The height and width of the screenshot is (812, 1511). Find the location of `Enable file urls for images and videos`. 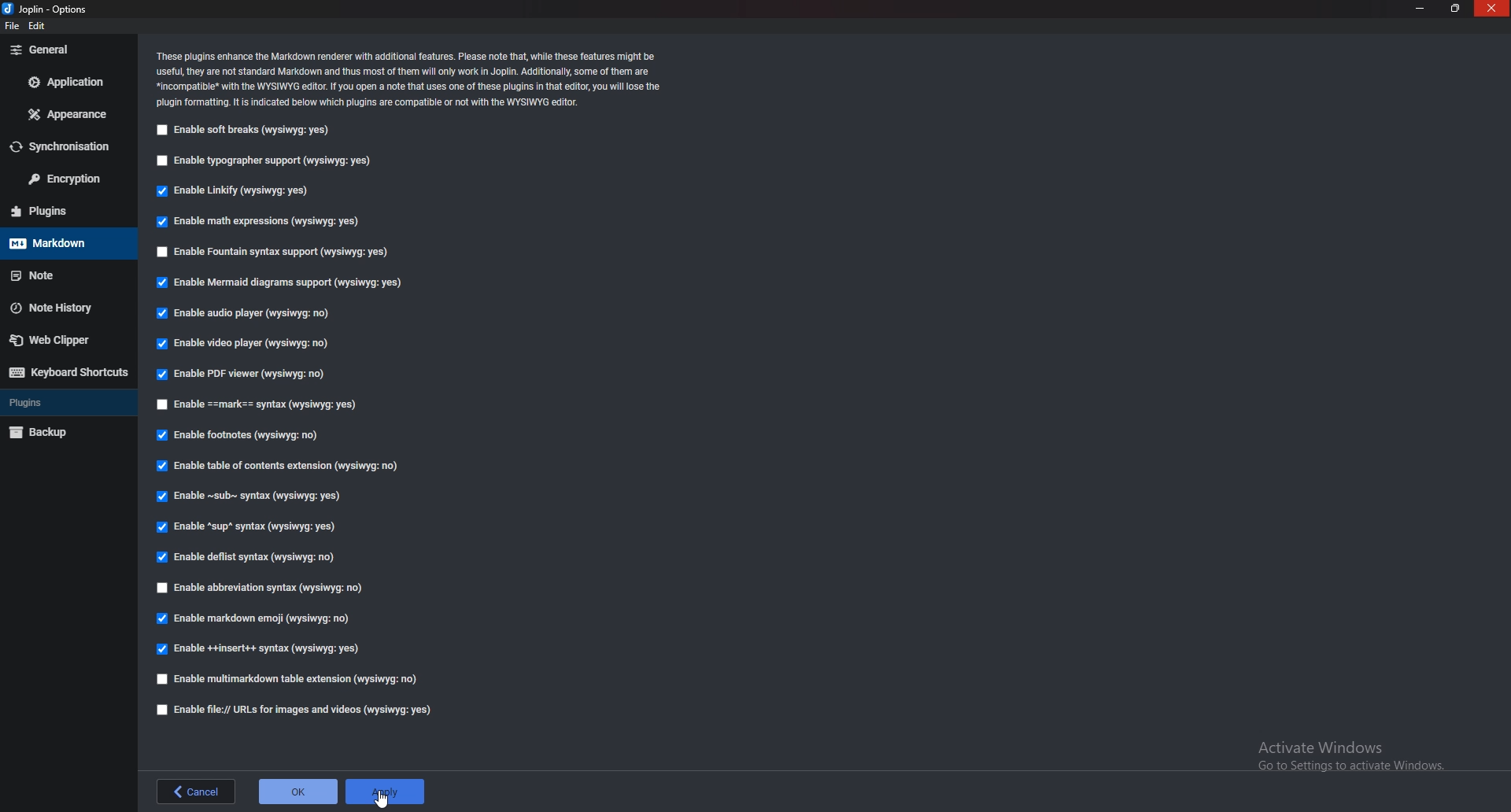

Enable file urls for images and videos is located at coordinates (300, 710).